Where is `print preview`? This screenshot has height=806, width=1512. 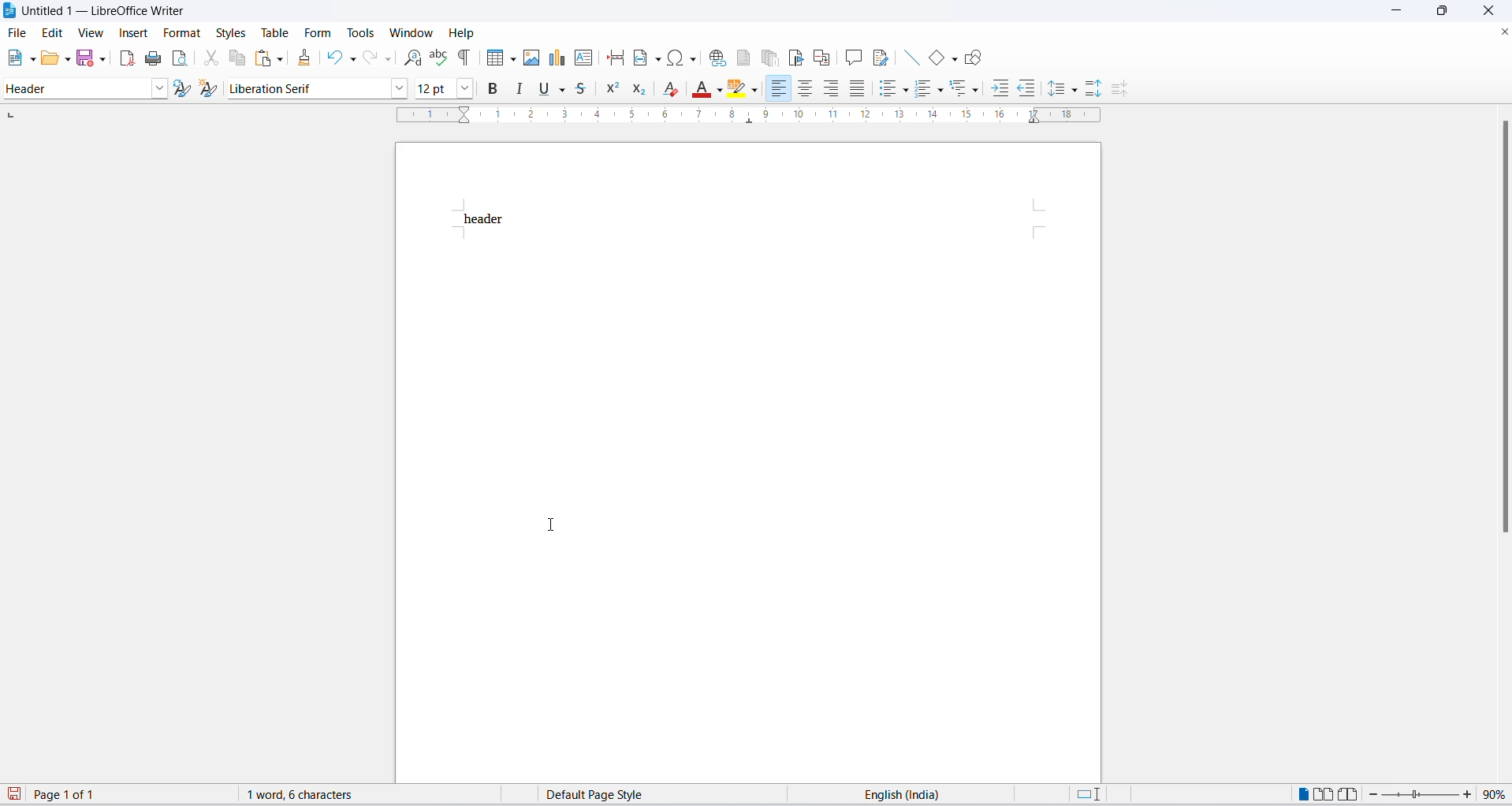 print preview is located at coordinates (181, 58).